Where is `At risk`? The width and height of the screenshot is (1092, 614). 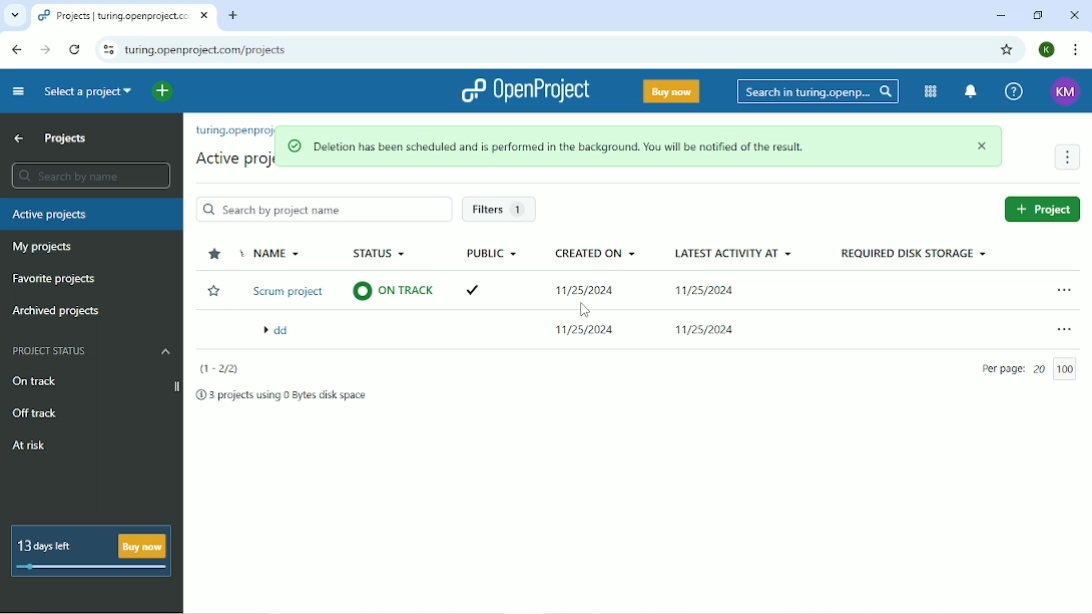
At risk is located at coordinates (31, 448).